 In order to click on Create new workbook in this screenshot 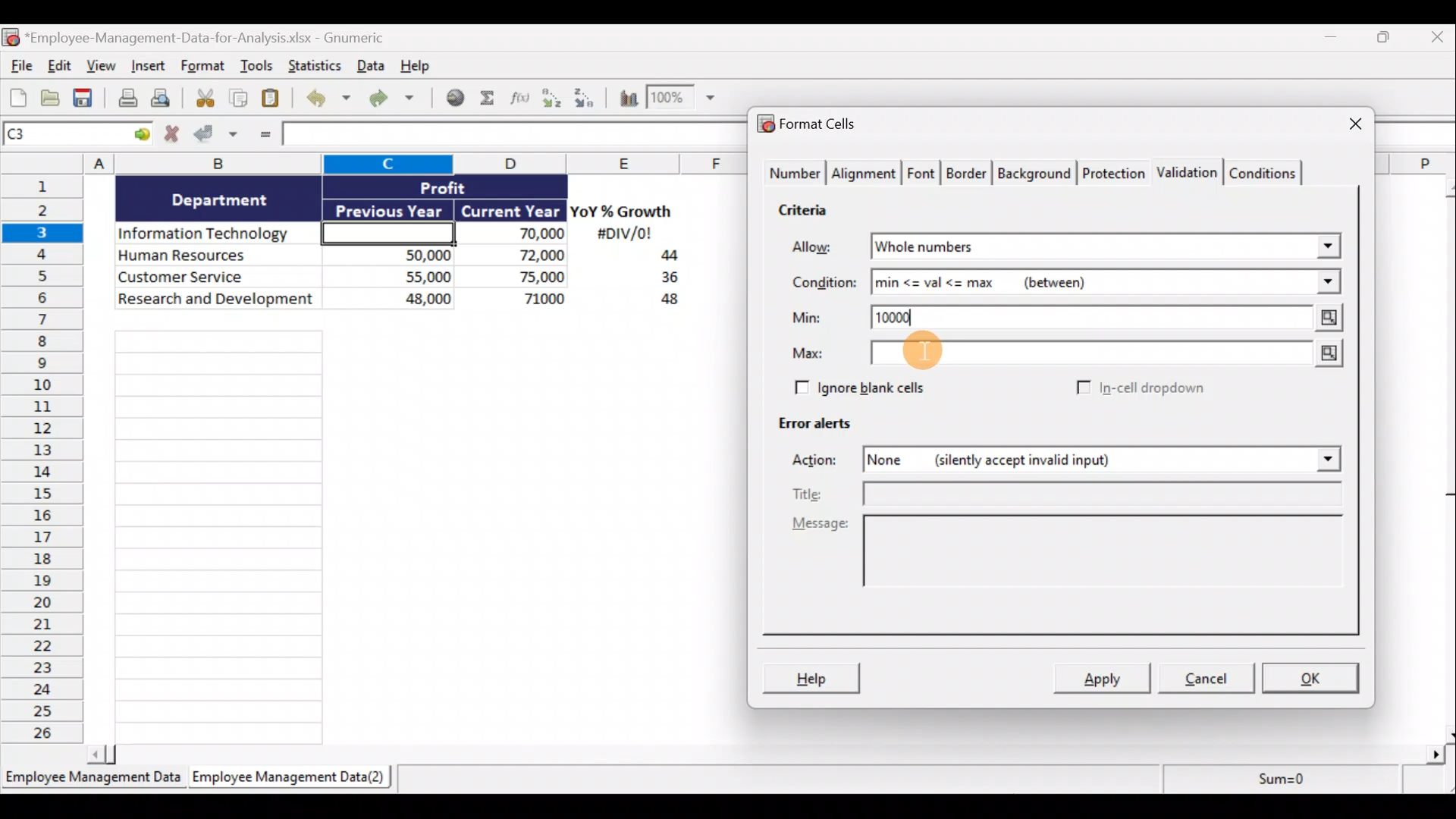, I will do `click(18, 97)`.